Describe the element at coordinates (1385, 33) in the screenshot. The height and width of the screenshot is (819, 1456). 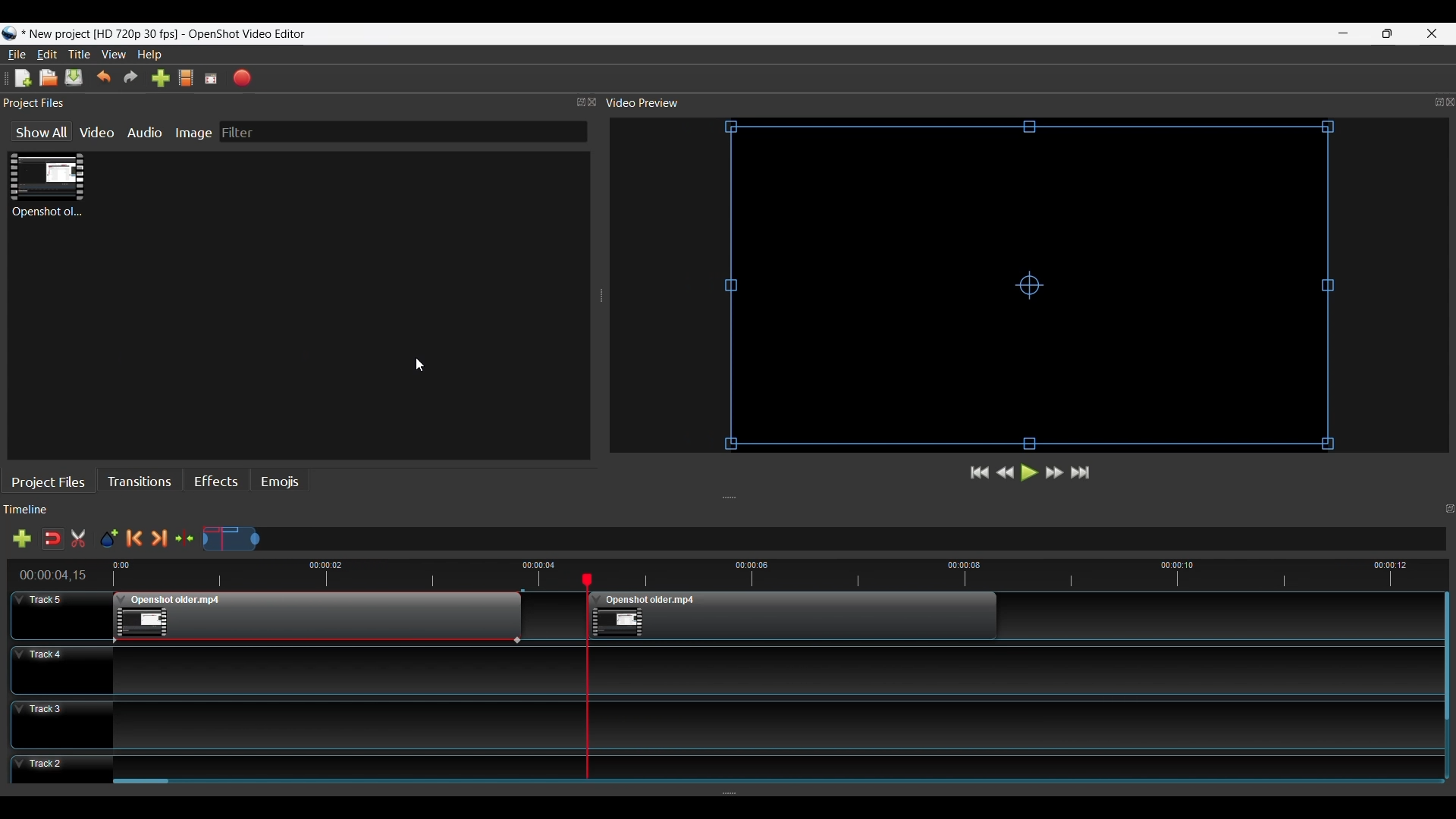
I see `Restore` at that location.